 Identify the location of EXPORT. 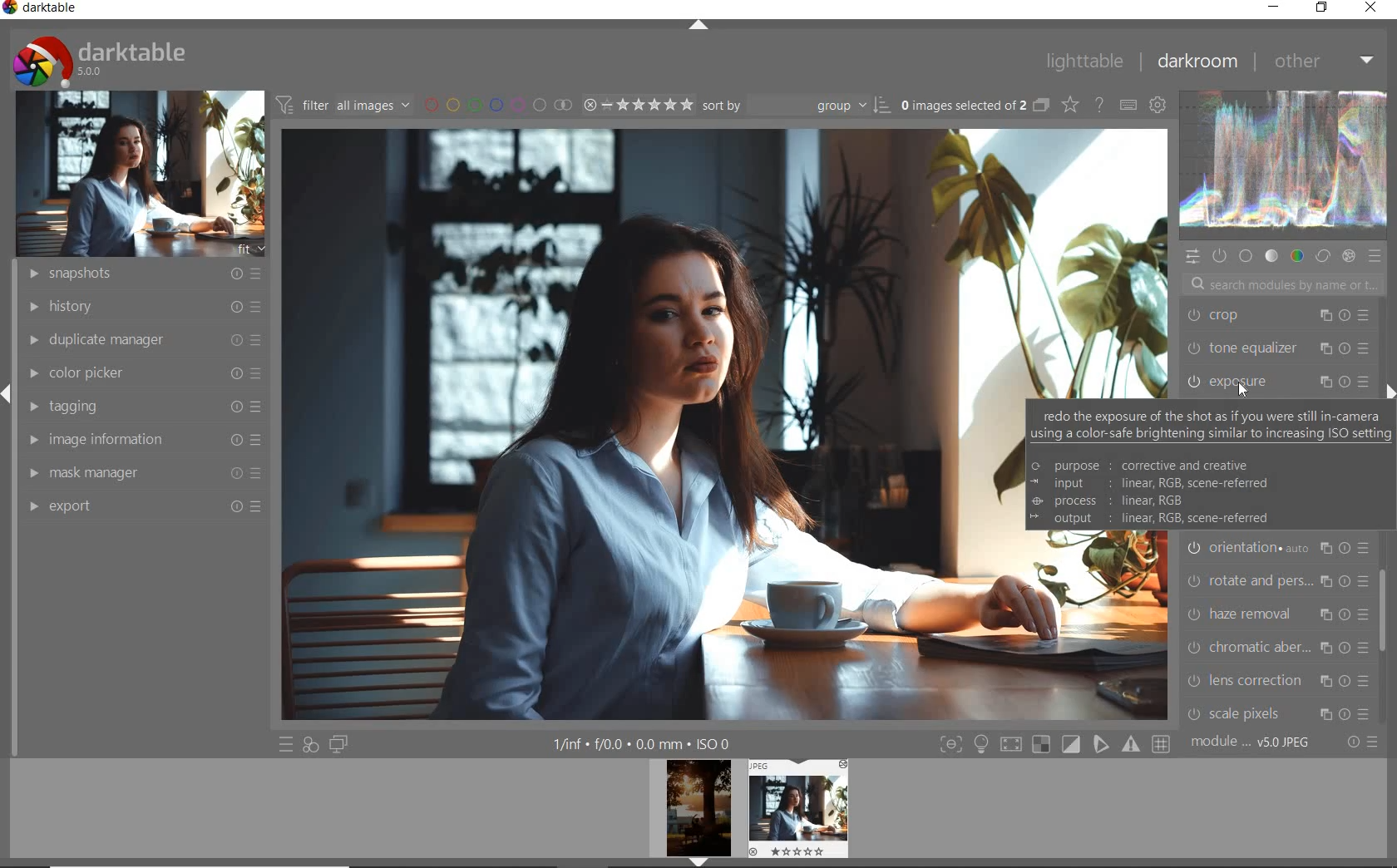
(146, 506).